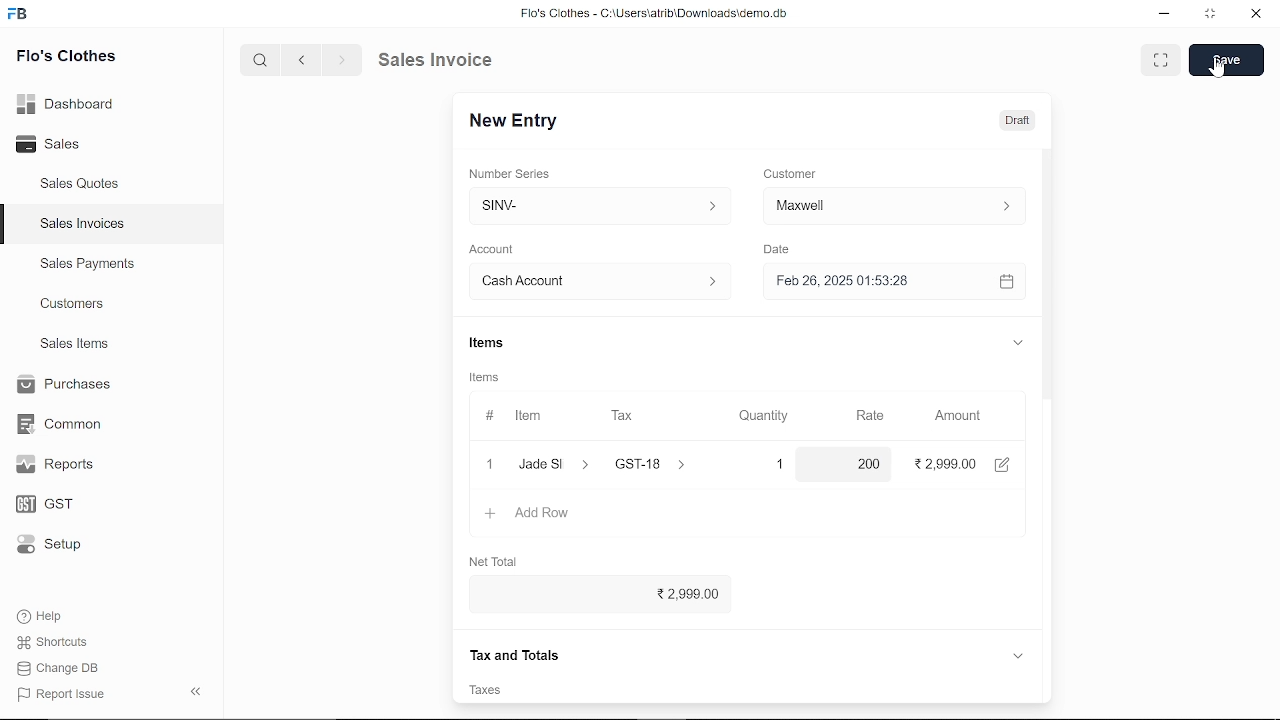 The width and height of the screenshot is (1280, 720). What do you see at coordinates (1048, 329) in the screenshot?
I see `vertical scrollbar` at bounding box center [1048, 329].